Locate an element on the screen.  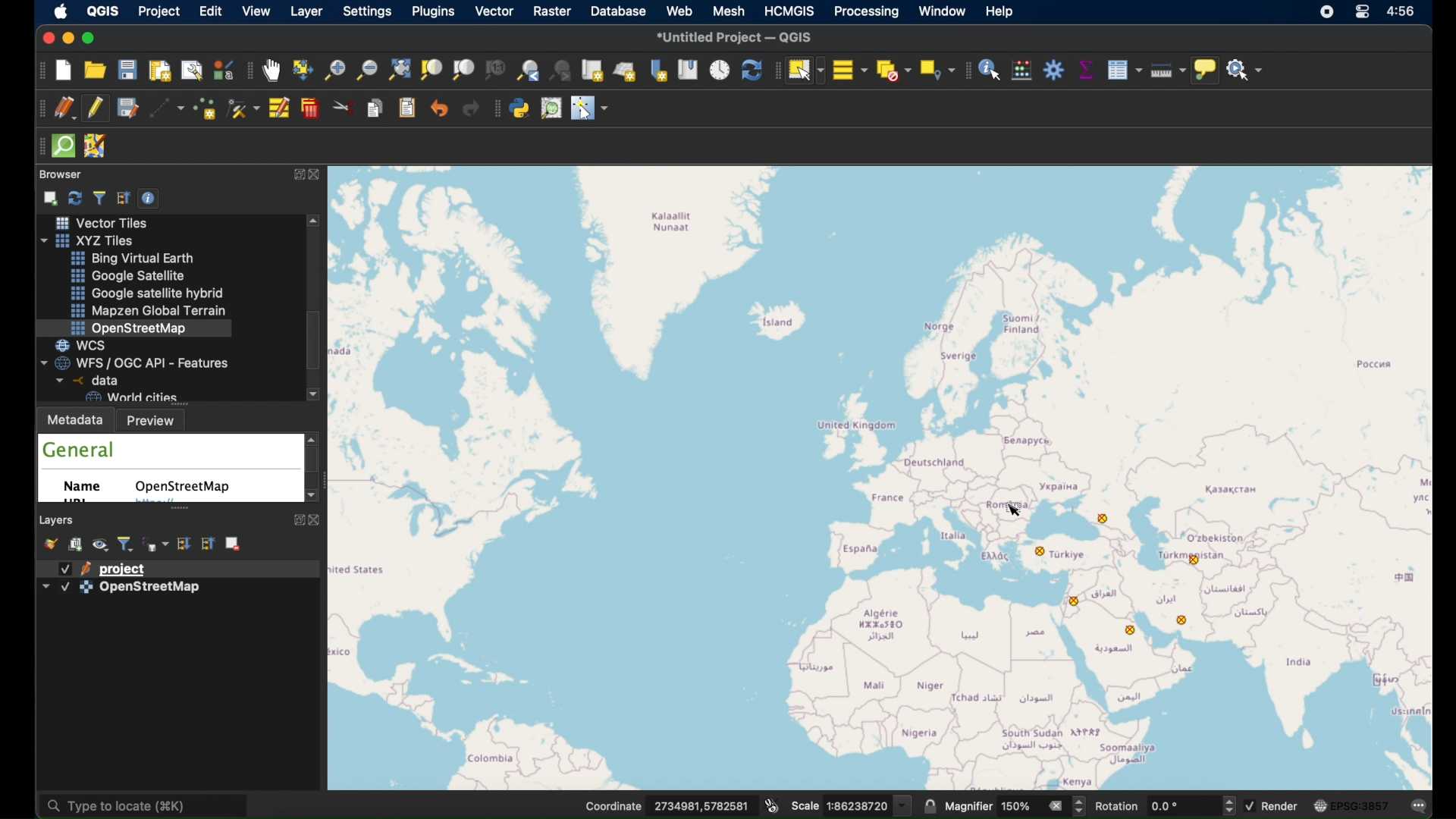
 is located at coordinates (158, 11).